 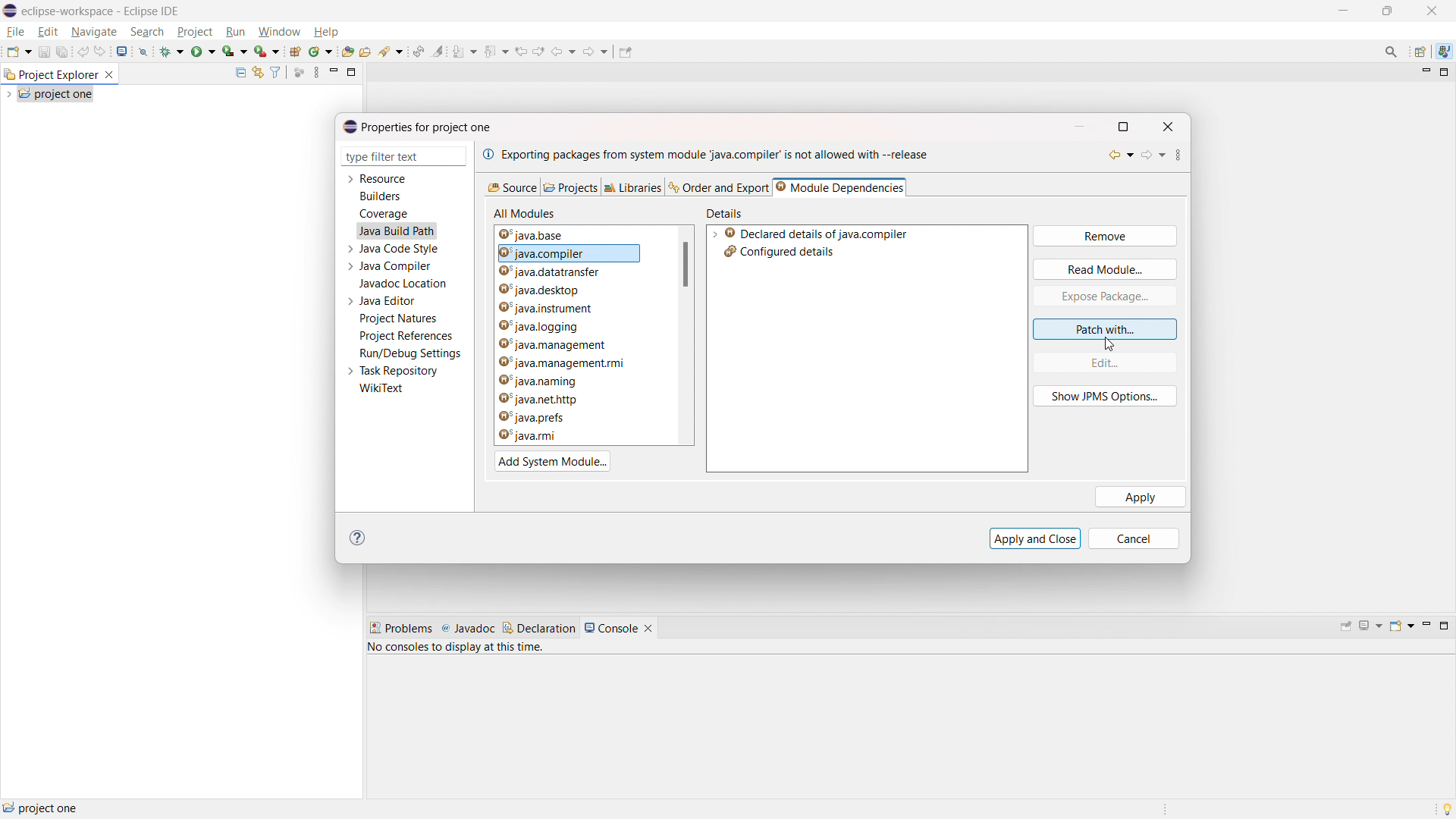 What do you see at coordinates (720, 187) in the screenshot?
I see `order and export` at bounding box center [720, 187].